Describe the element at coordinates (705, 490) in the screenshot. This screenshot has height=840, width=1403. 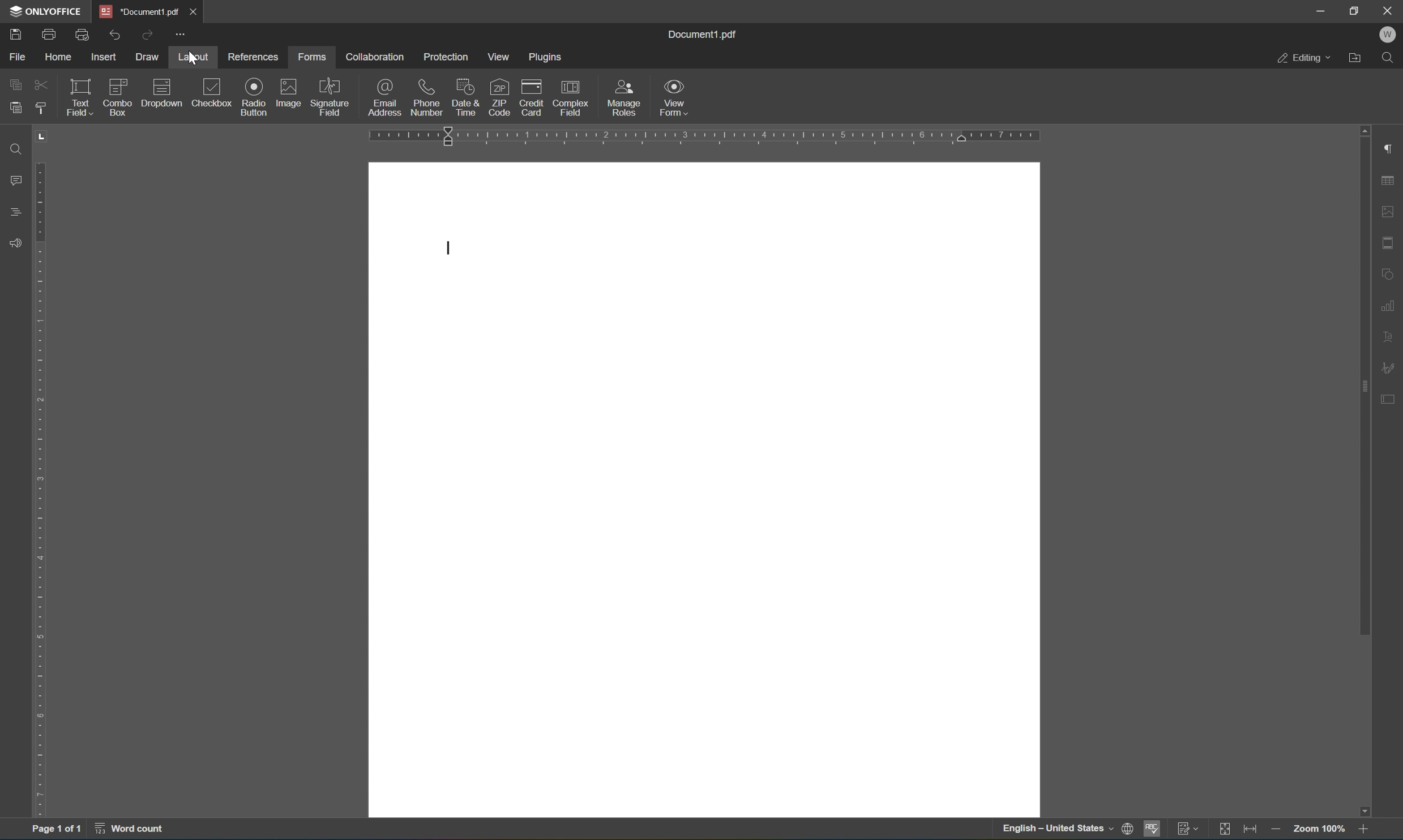
I see `workspace` at that location.